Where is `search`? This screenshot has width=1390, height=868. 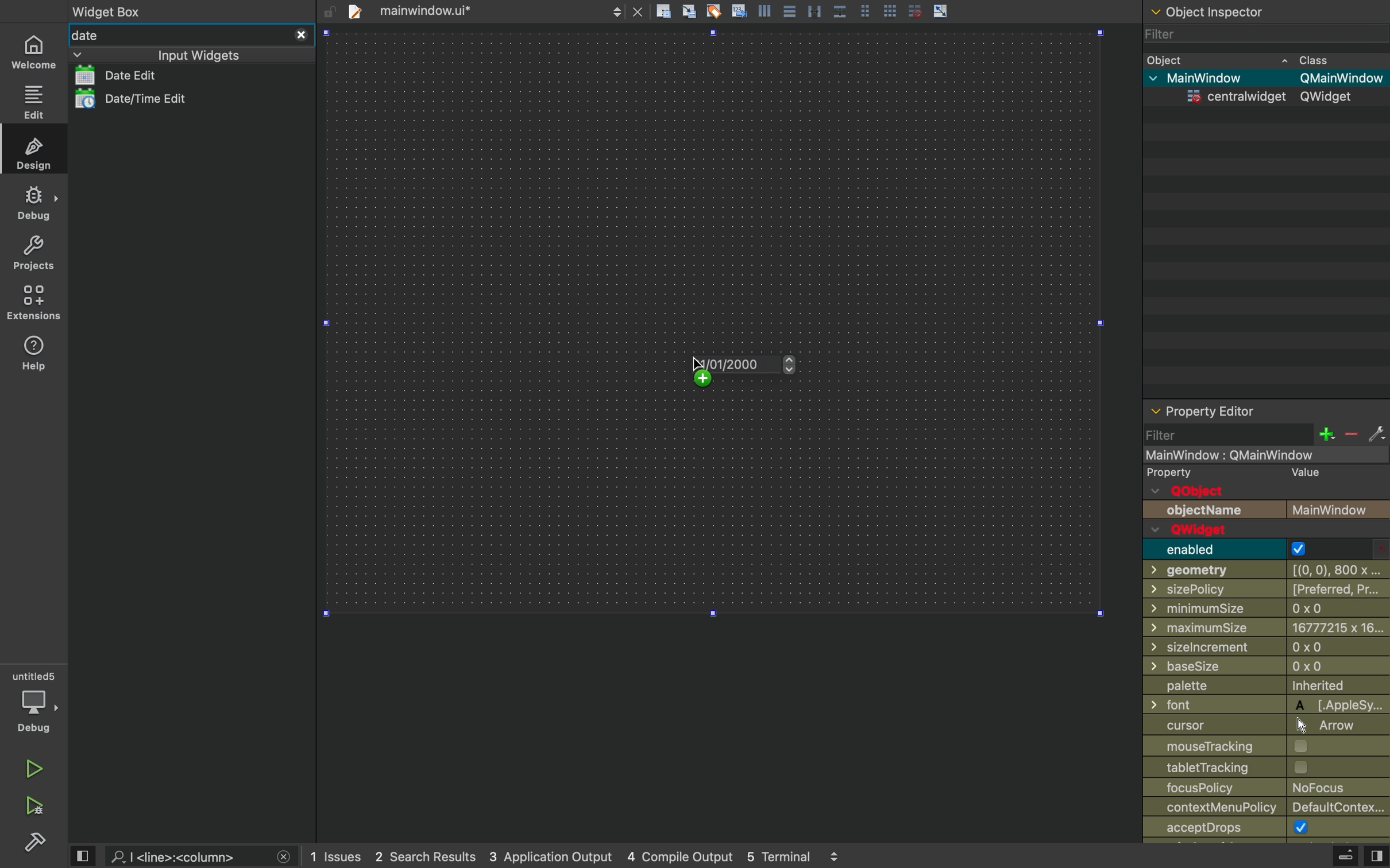
search is located at coordinates (188, 855).